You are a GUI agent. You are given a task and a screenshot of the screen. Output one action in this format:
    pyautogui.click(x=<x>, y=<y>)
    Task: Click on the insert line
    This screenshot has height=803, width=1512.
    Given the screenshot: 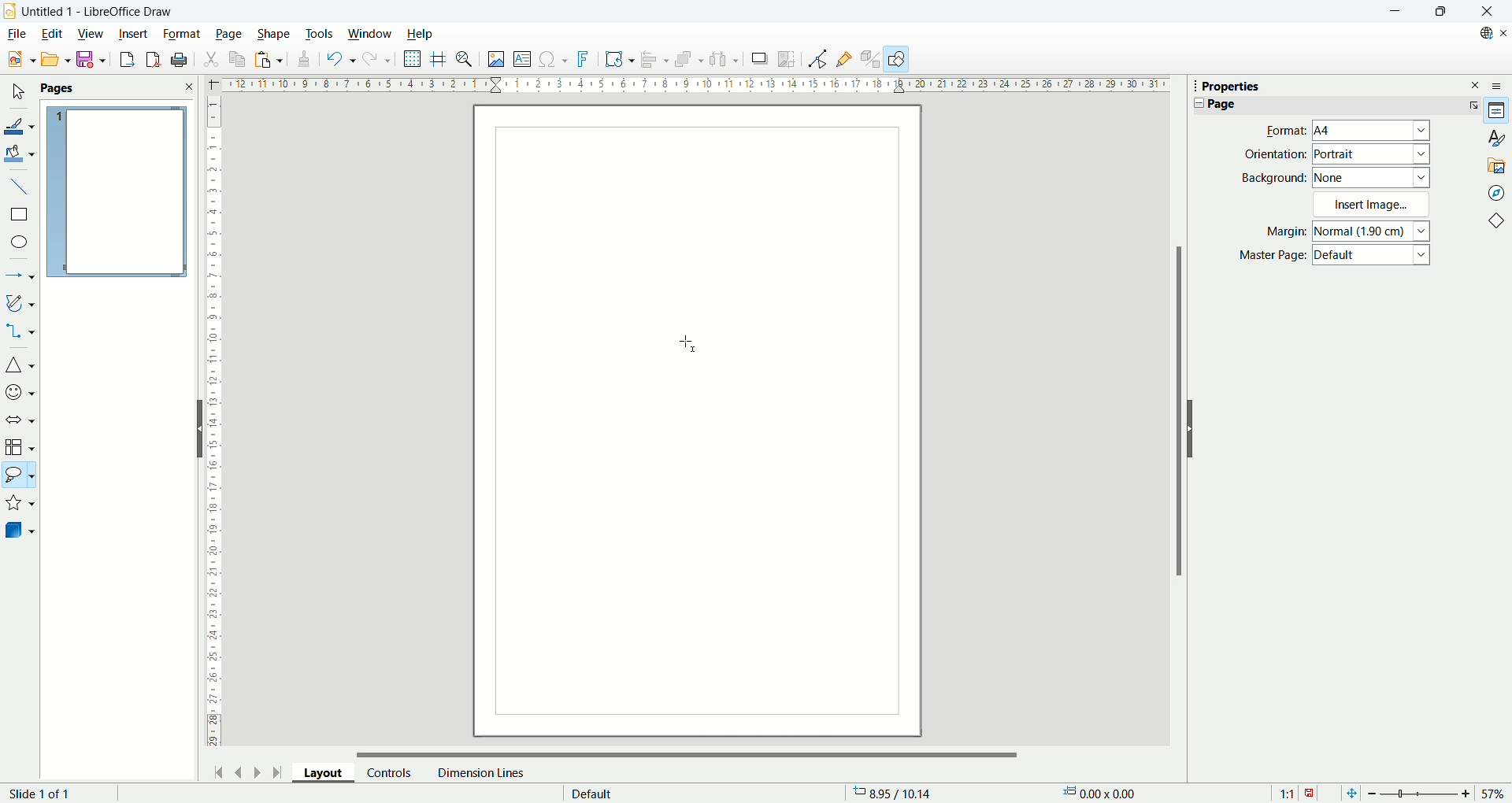 What is the action you would take?
    pyautogui.click(x=19, y=185)
    